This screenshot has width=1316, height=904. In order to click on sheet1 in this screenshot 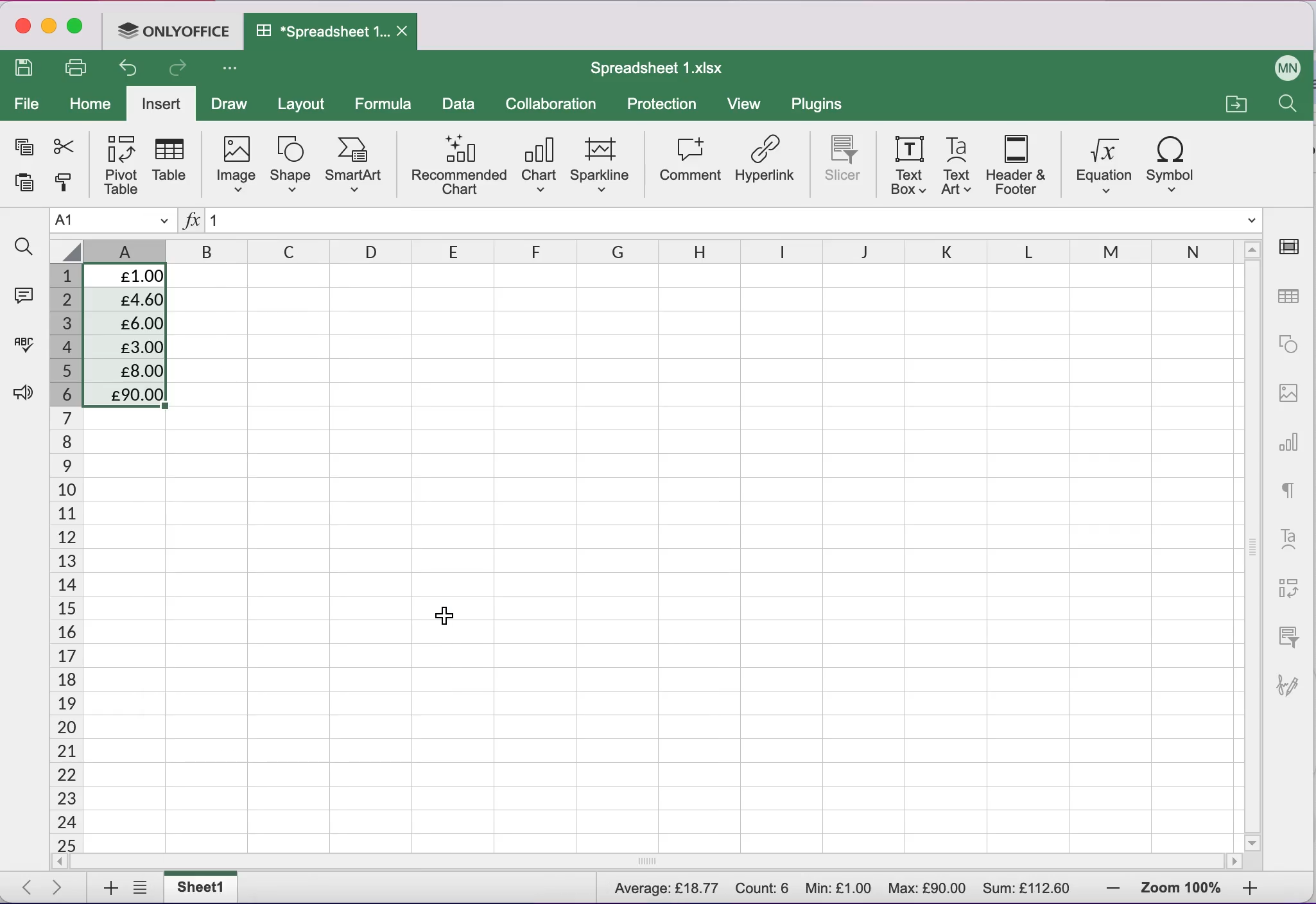, I will do `click(199, 887)`.